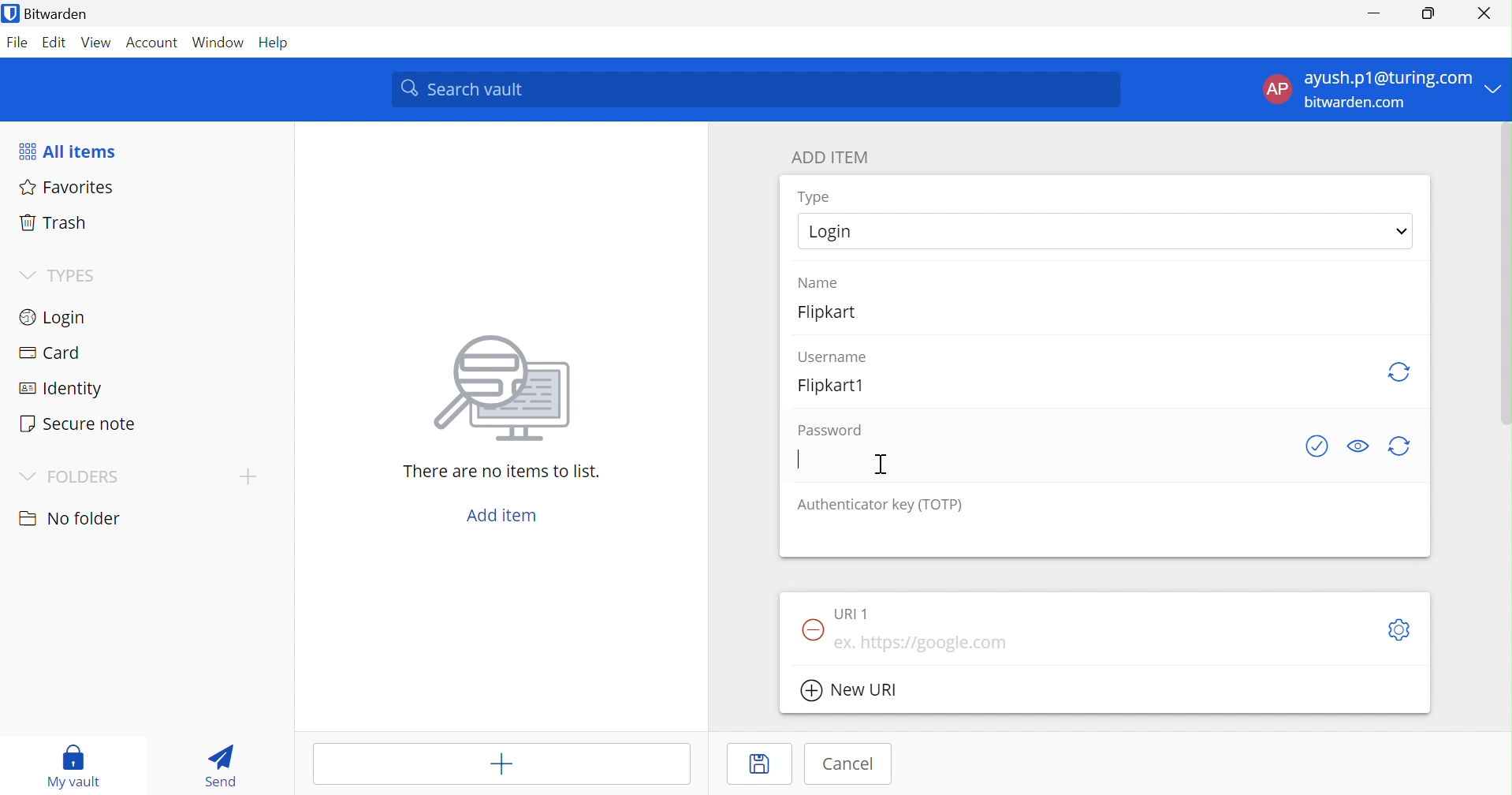  Describe the element at coordinates (53, 353) in the screenshot. I see `Card` at that location.